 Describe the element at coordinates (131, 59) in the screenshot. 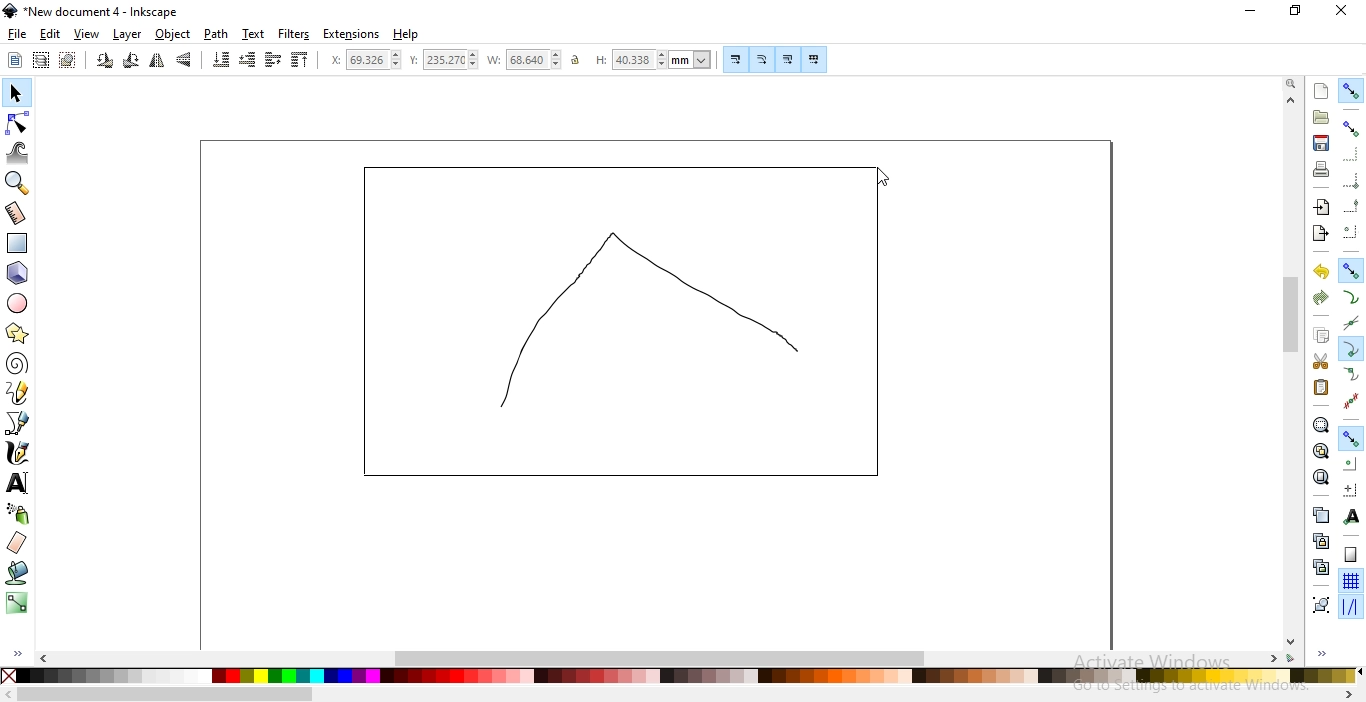

I see `rotate 90 clockwise` at that location.